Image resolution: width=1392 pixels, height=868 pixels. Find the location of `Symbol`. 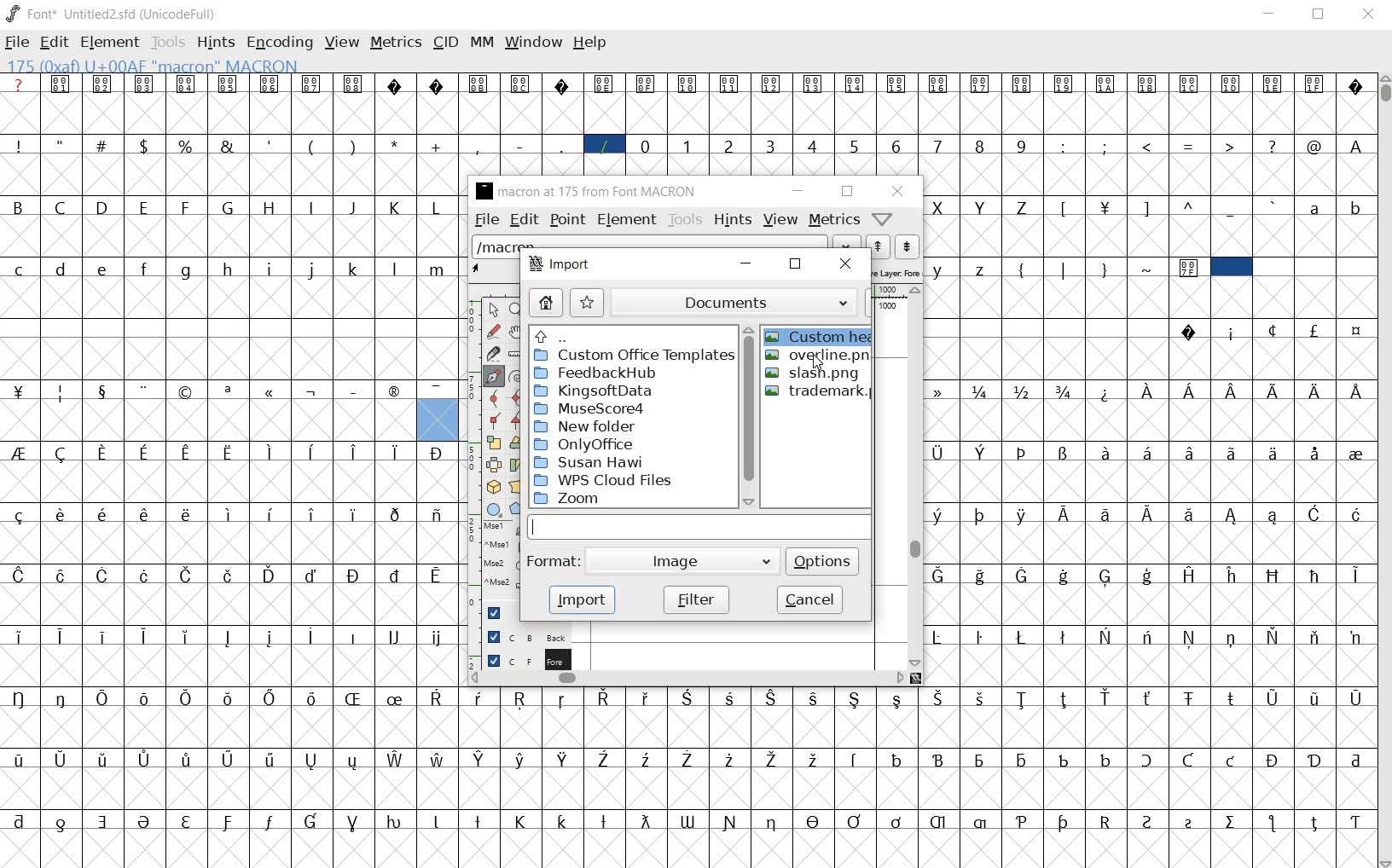

Symbol is located at coordinates (1272, 84).